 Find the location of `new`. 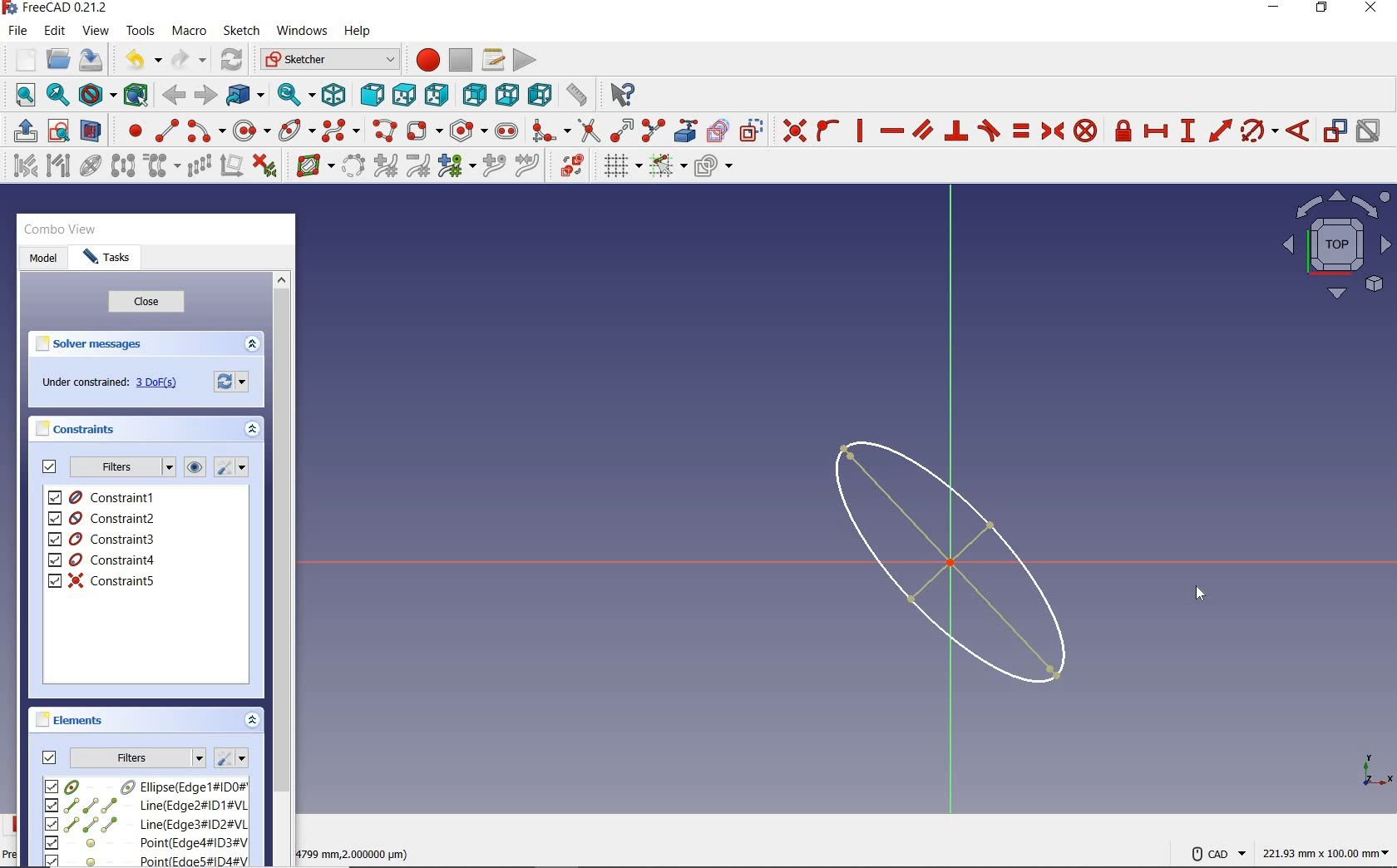

new is located at coordinates (21, 59).